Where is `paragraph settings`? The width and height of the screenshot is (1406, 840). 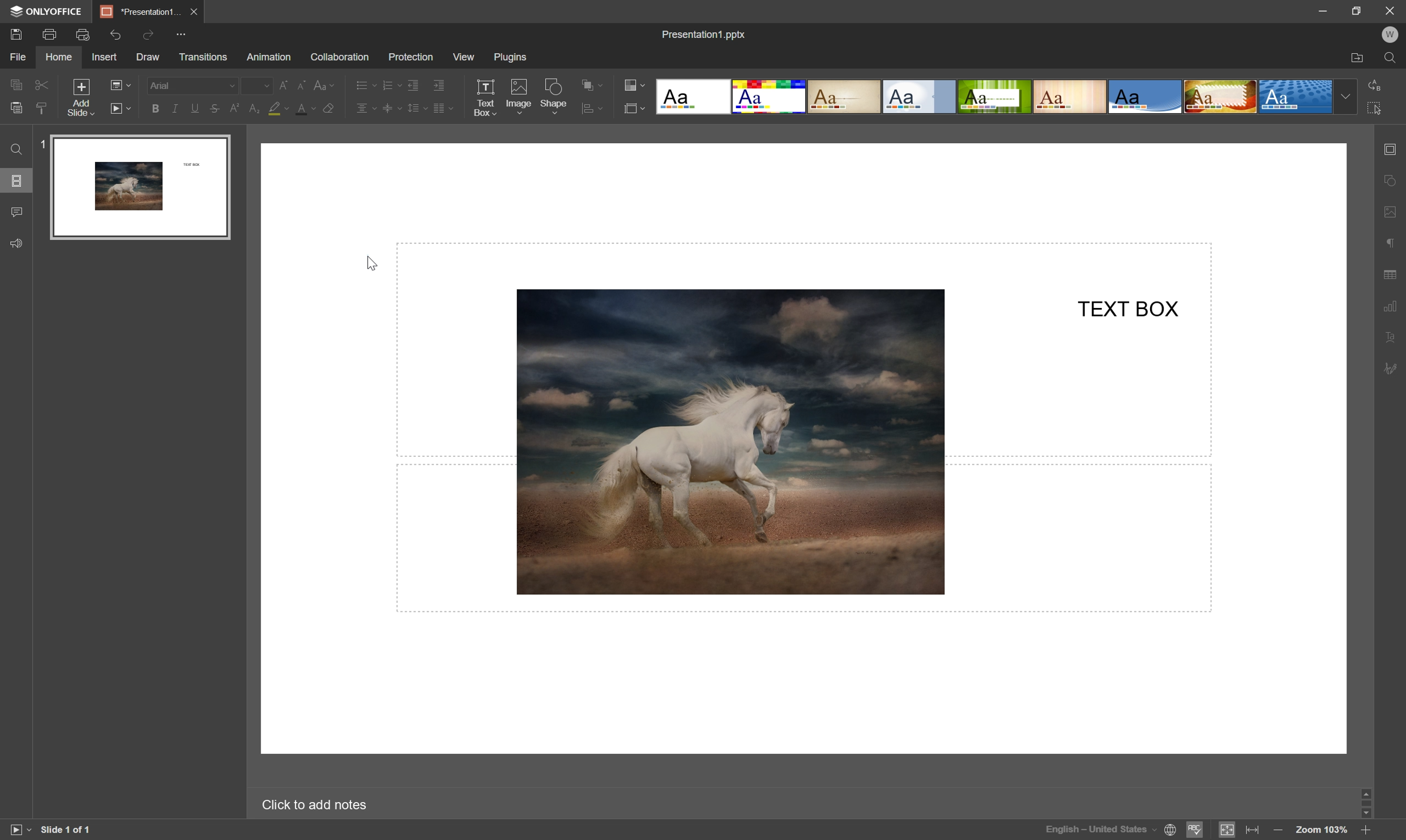
paragraph settings is located at coordinates (1391, 243).